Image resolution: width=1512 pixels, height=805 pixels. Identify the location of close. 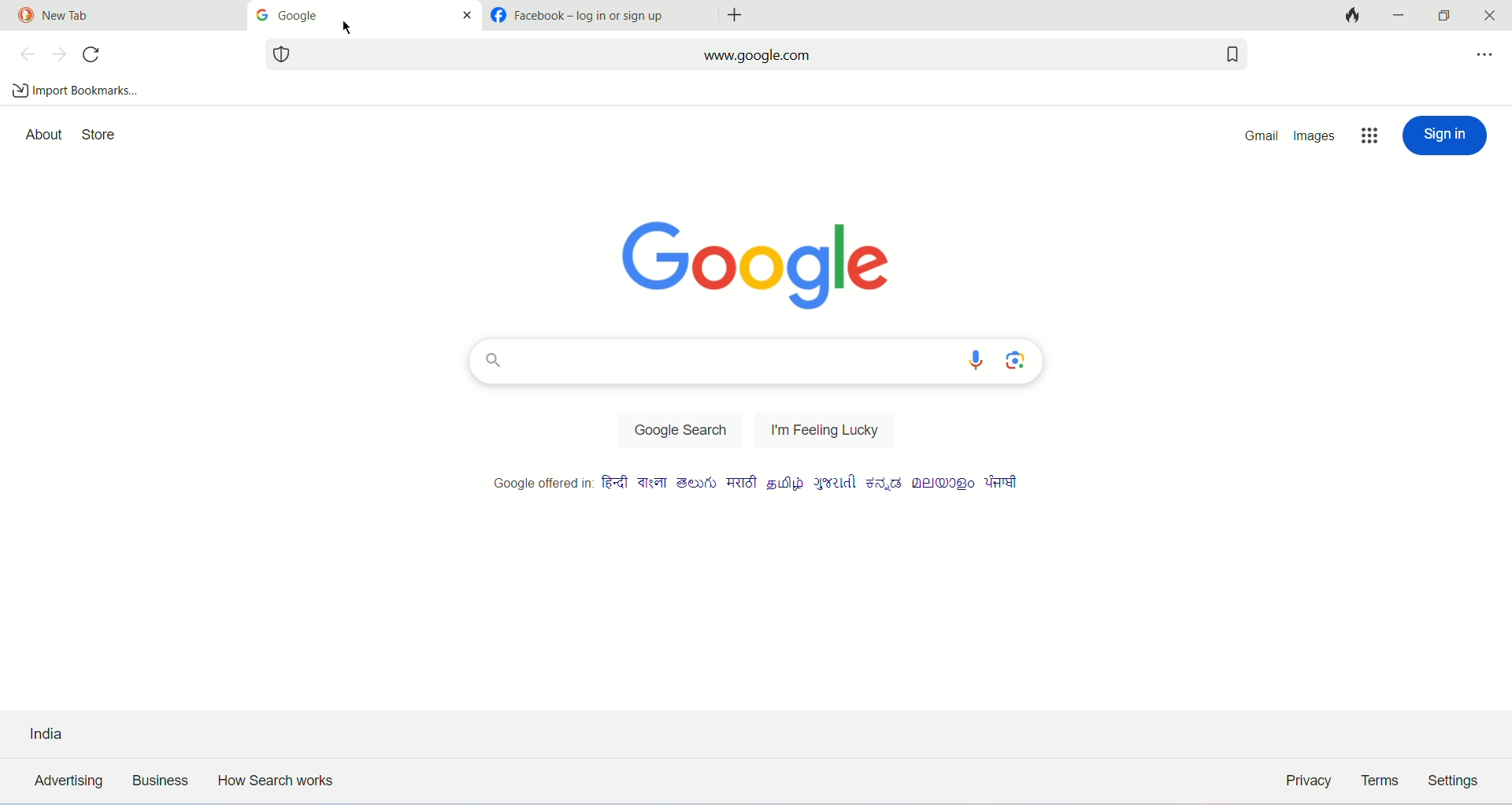
(1489, 15).